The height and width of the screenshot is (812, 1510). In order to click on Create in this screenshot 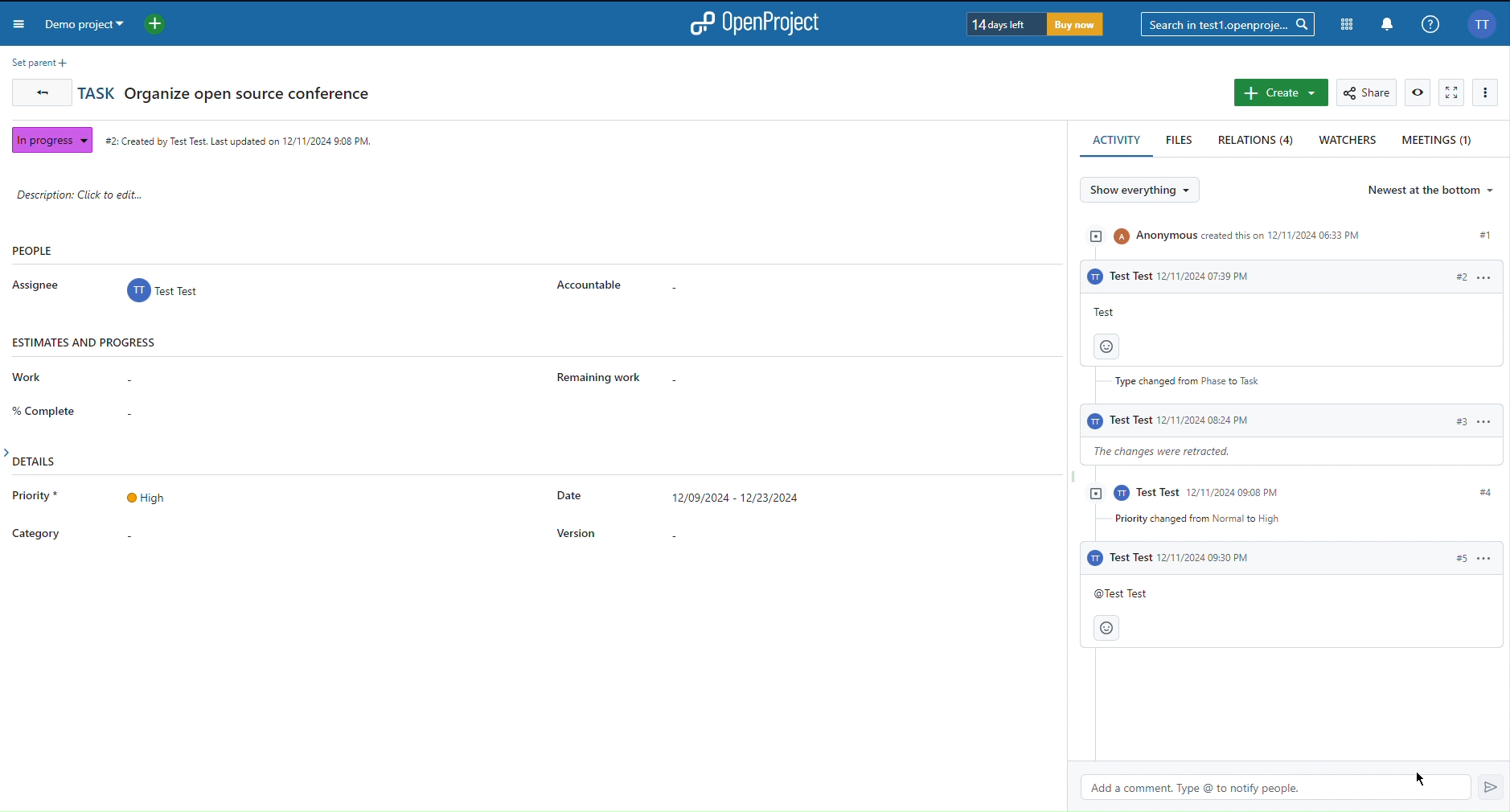, I will do `click(1280, 93)`.